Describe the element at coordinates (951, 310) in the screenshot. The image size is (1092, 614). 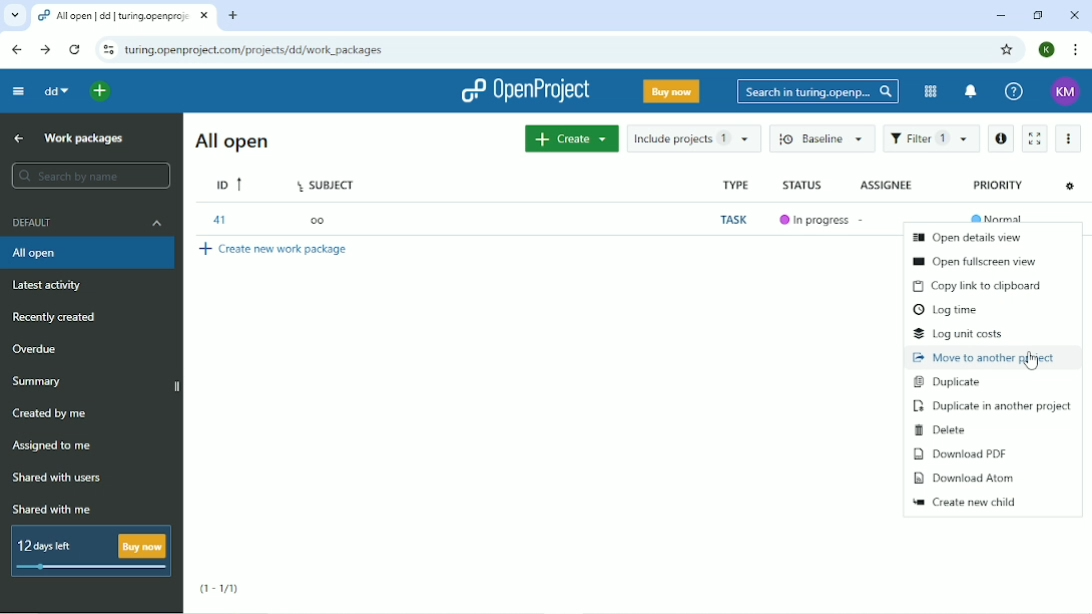
I see `Log time` at that location.